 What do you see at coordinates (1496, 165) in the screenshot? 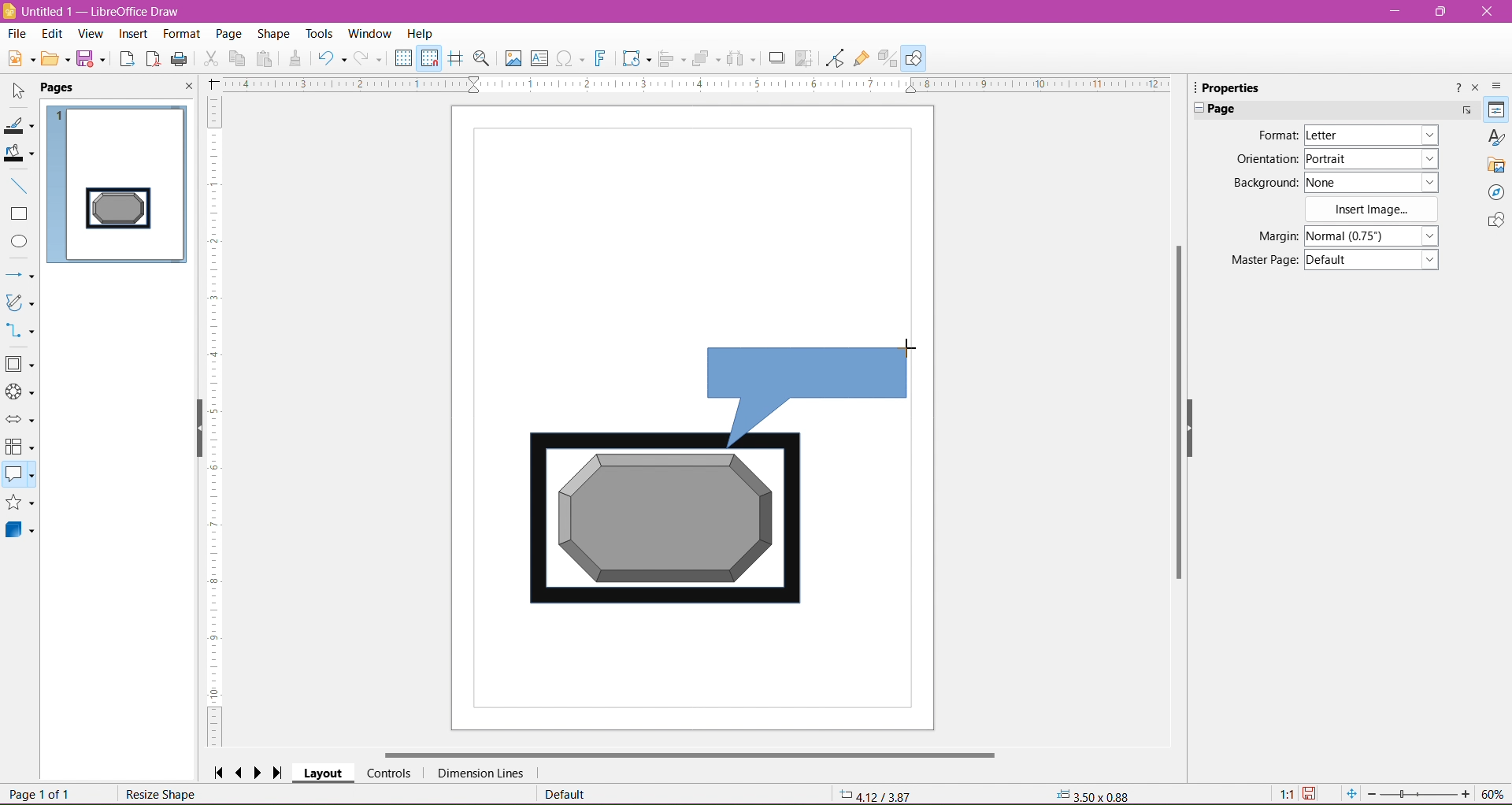
I see `Gallery` at bounding box center [1496, 165].